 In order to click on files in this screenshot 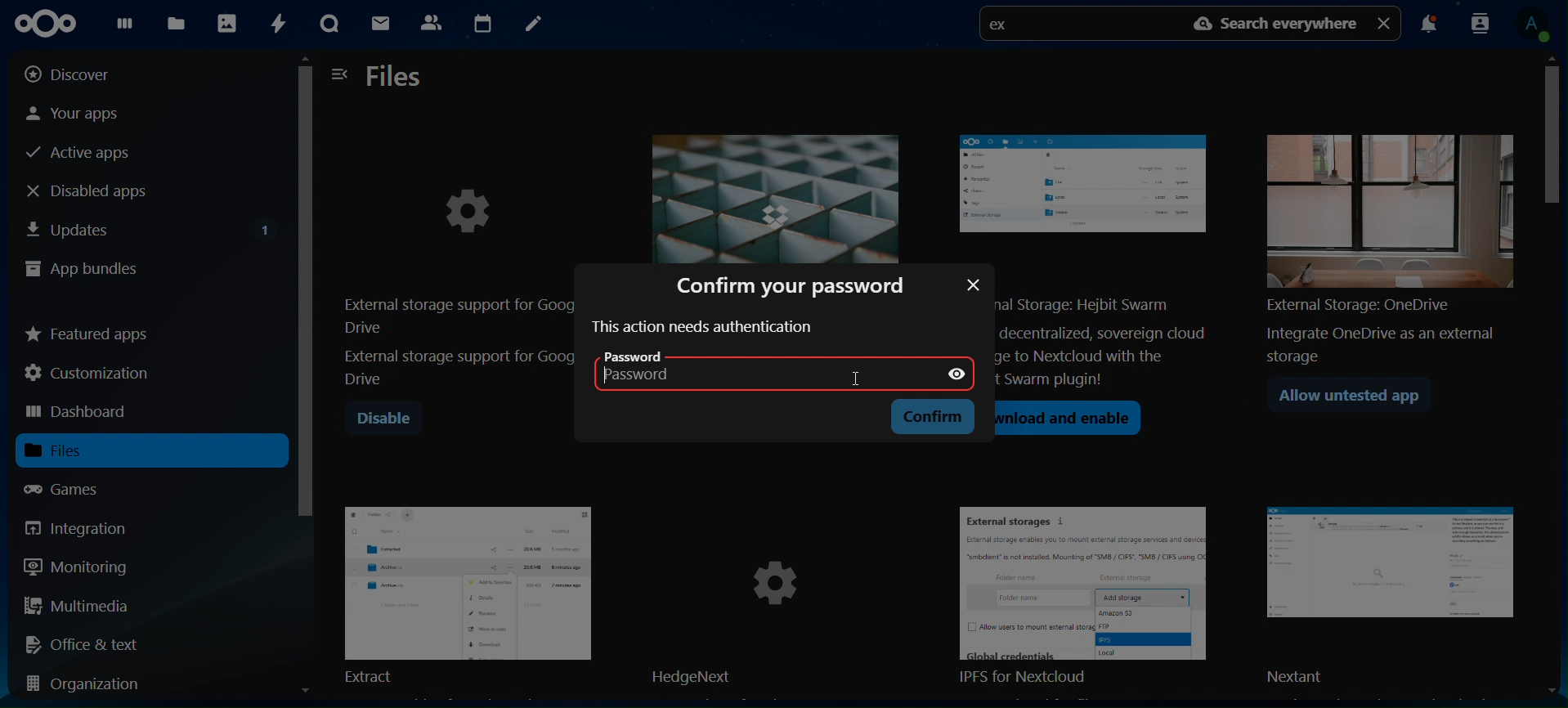, I will do `click(396, 78)`.